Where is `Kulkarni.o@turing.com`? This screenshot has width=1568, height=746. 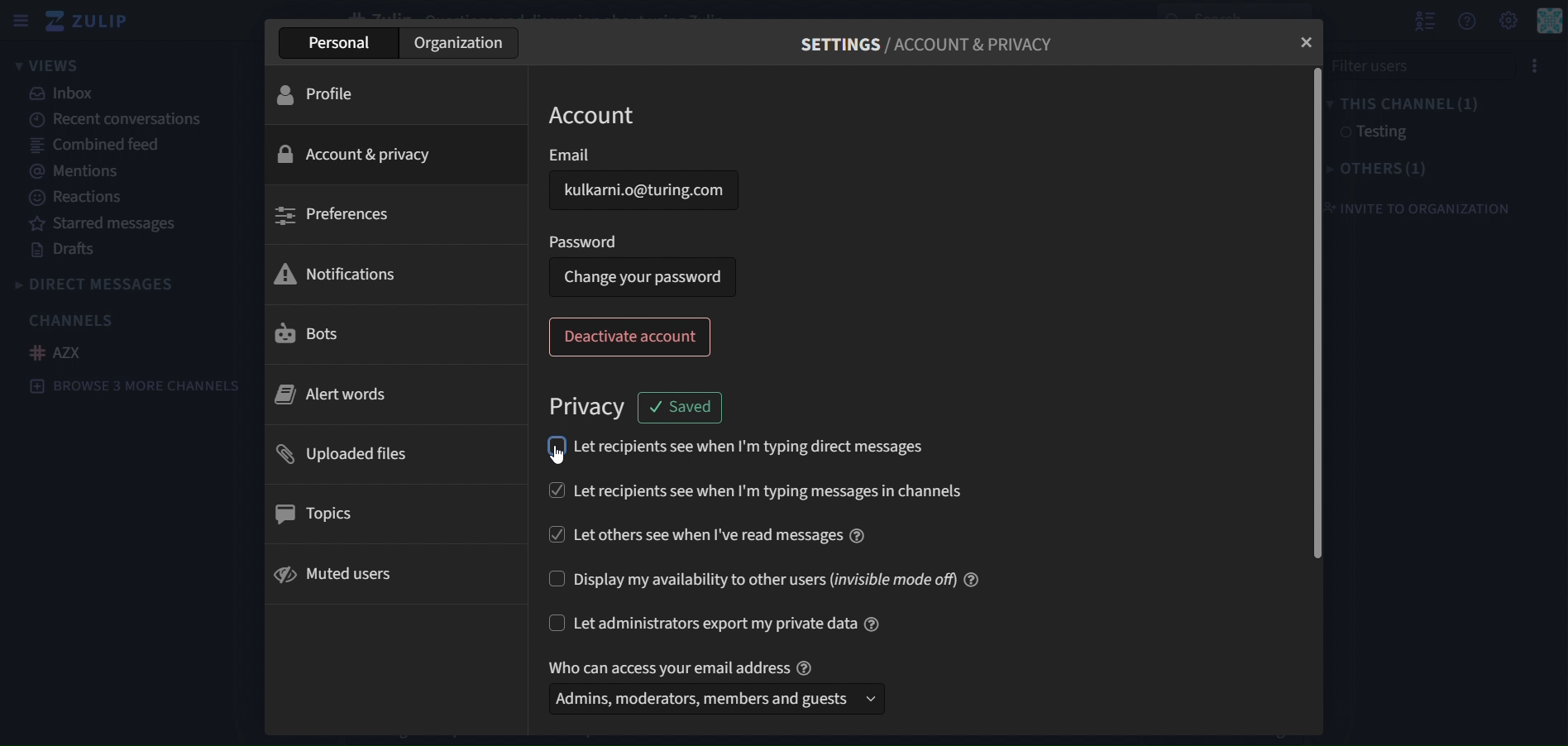 Kulkarni.o@turing.com is located at coordinates (635, 189).